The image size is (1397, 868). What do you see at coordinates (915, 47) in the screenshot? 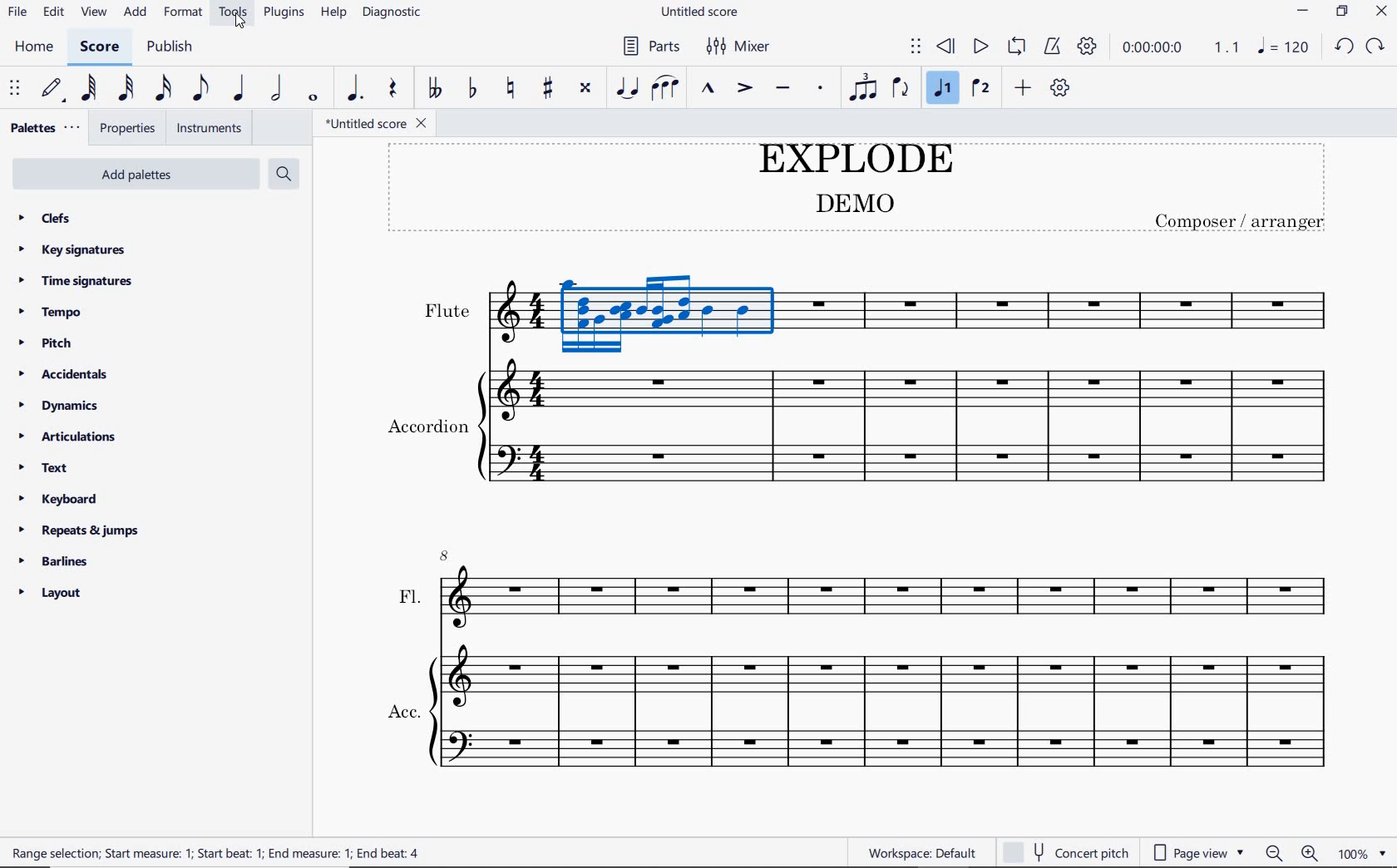
I see `select to move` at bounding box center [915, 47].